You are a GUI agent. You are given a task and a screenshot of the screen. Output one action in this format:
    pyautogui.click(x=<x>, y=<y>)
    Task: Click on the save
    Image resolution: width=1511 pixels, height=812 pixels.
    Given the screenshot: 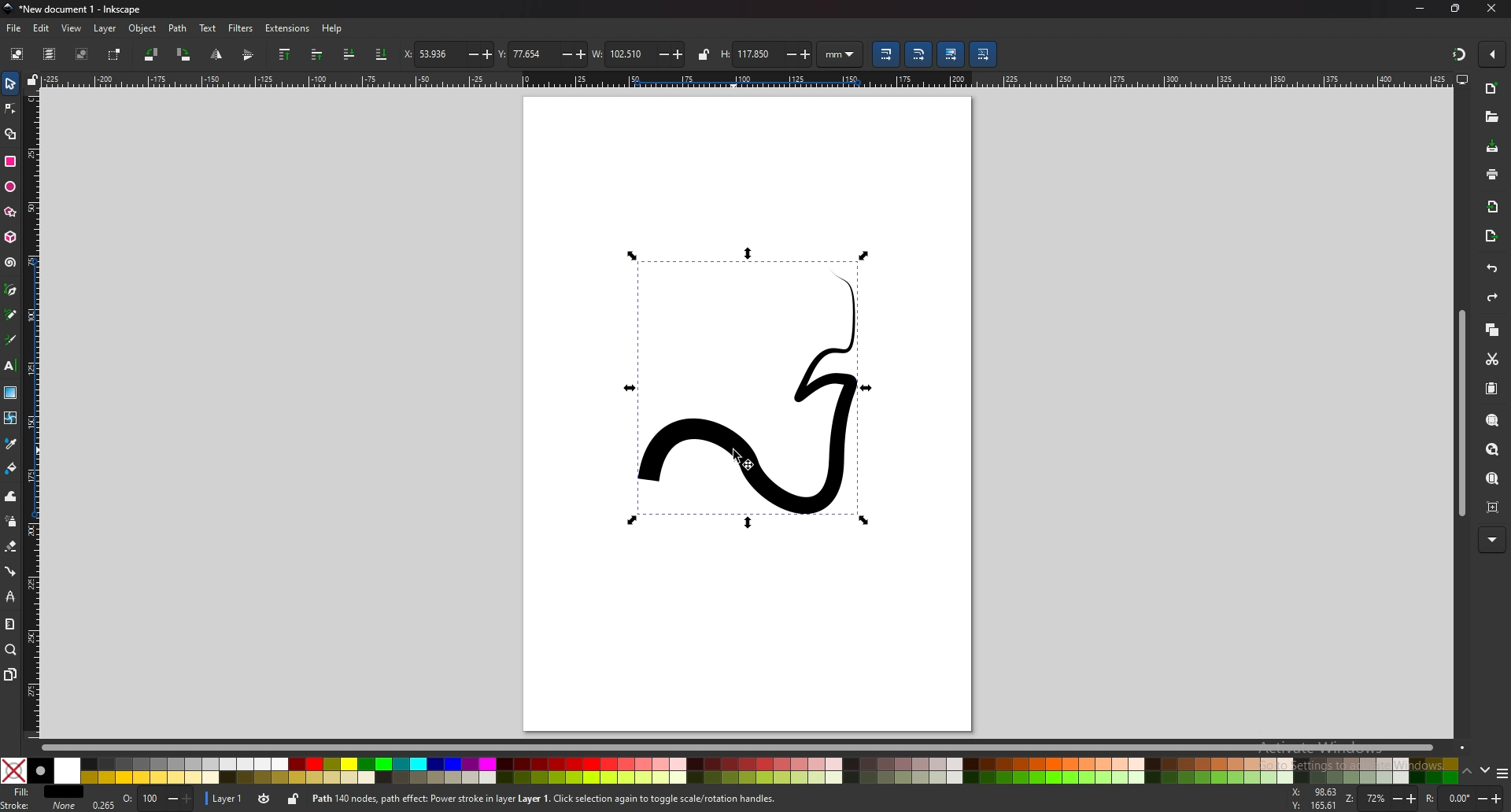 What is the action you would take?
    pyautogui.click(x=1494, y=147)
    